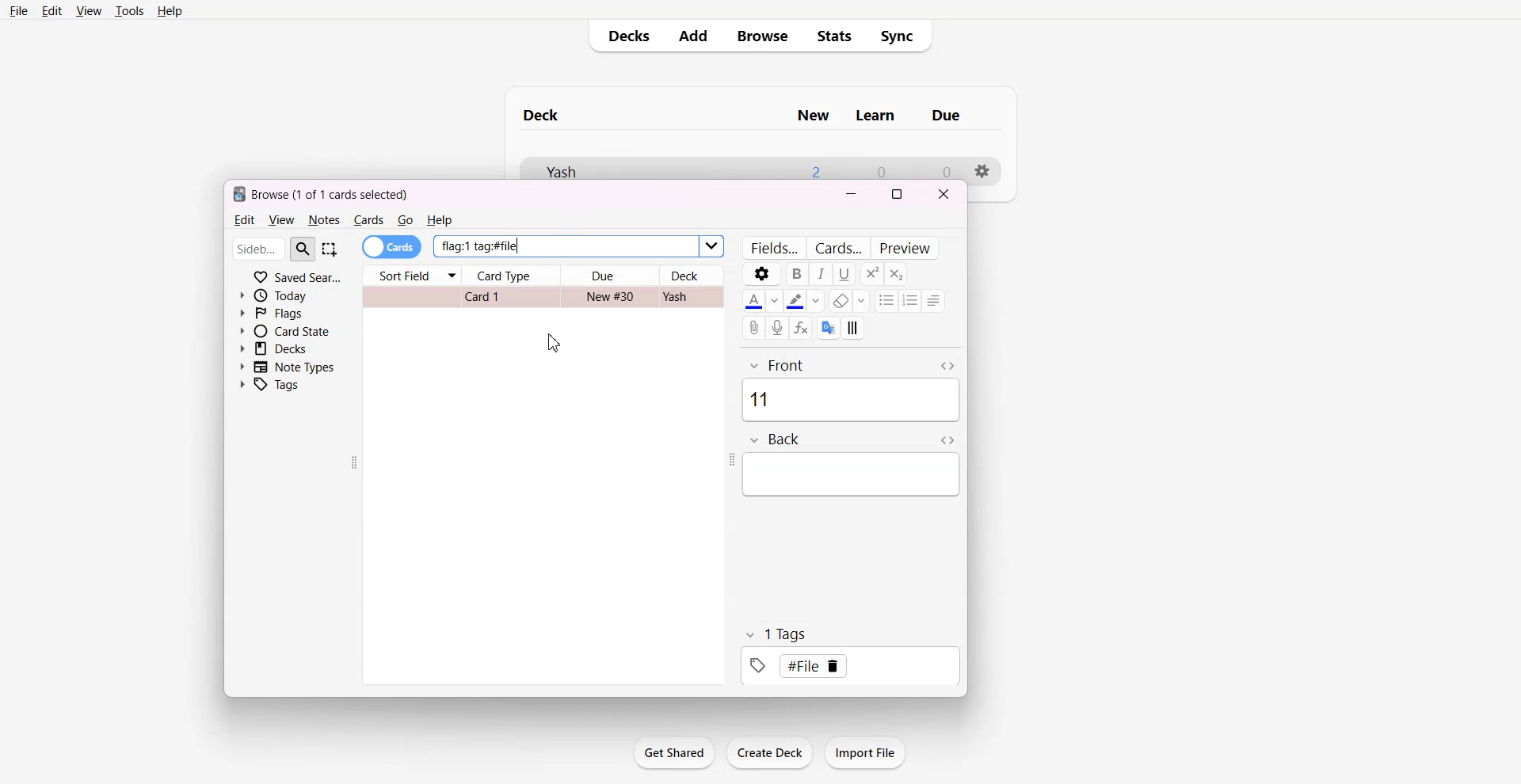 The height and width of the screenshot is (784, 1521). I want to click on Note Types, so click(287, 366).